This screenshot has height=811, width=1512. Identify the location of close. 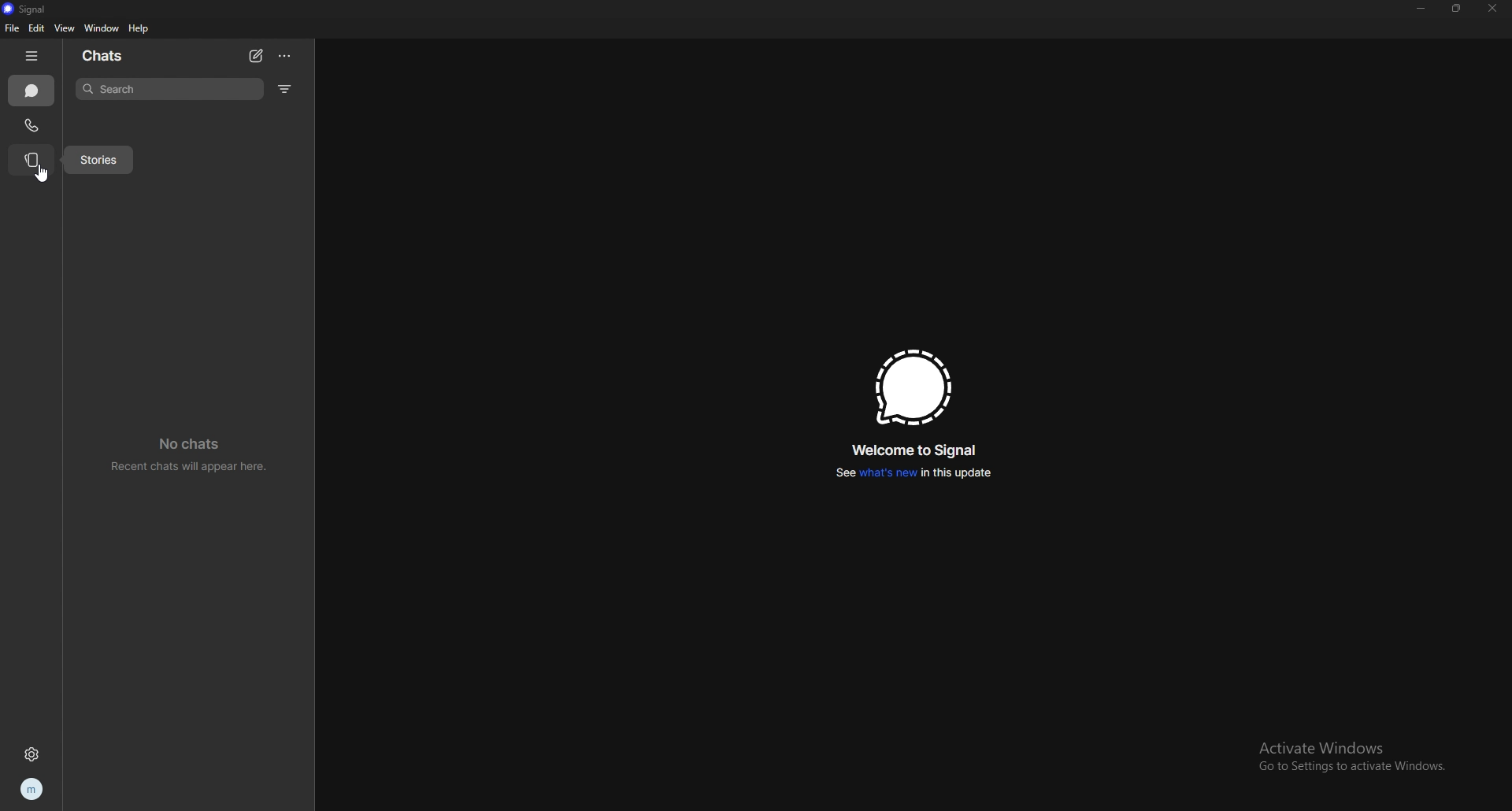
(1492, 9).